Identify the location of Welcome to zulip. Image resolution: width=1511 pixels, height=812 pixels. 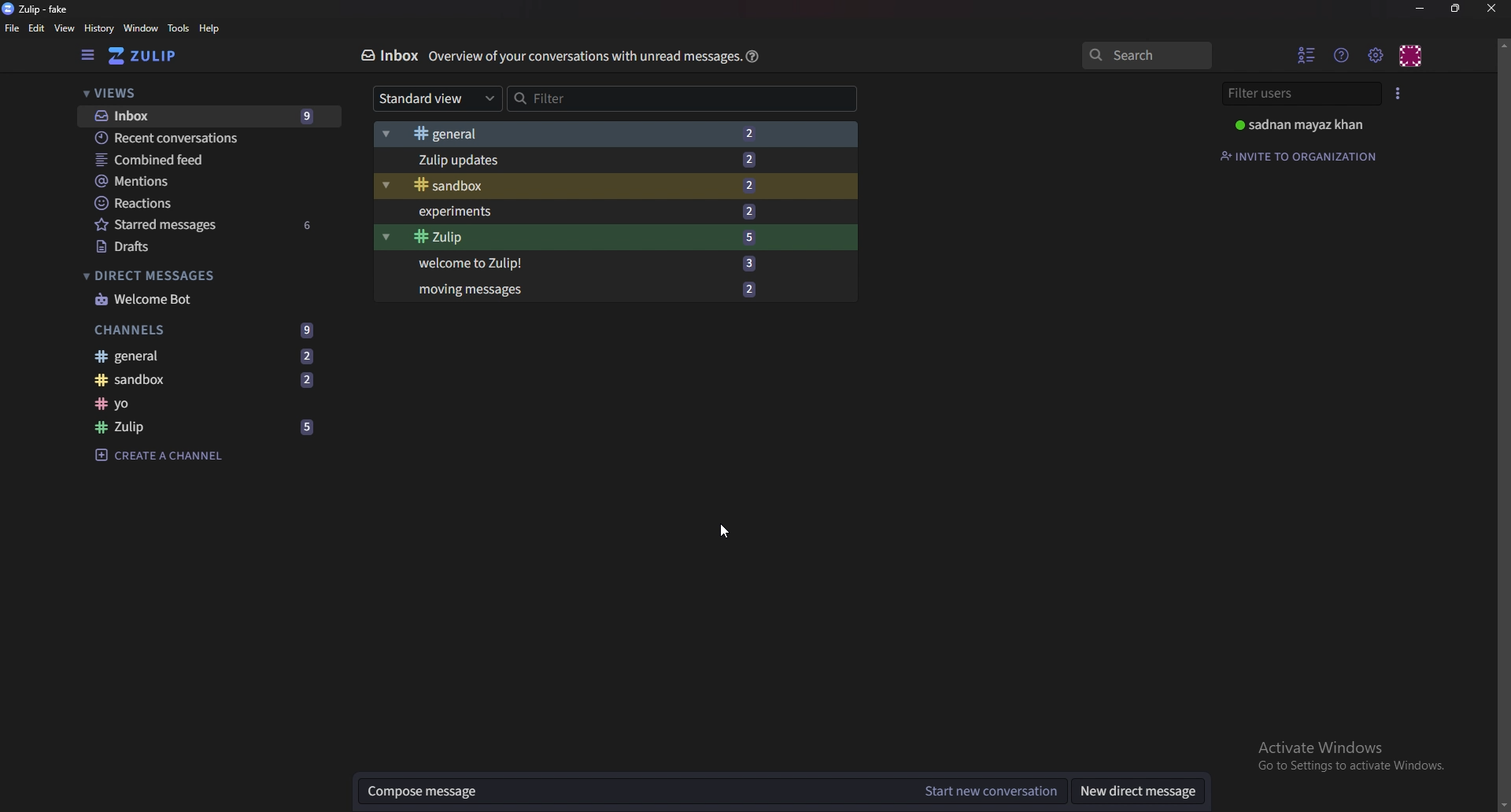
(613, 265).